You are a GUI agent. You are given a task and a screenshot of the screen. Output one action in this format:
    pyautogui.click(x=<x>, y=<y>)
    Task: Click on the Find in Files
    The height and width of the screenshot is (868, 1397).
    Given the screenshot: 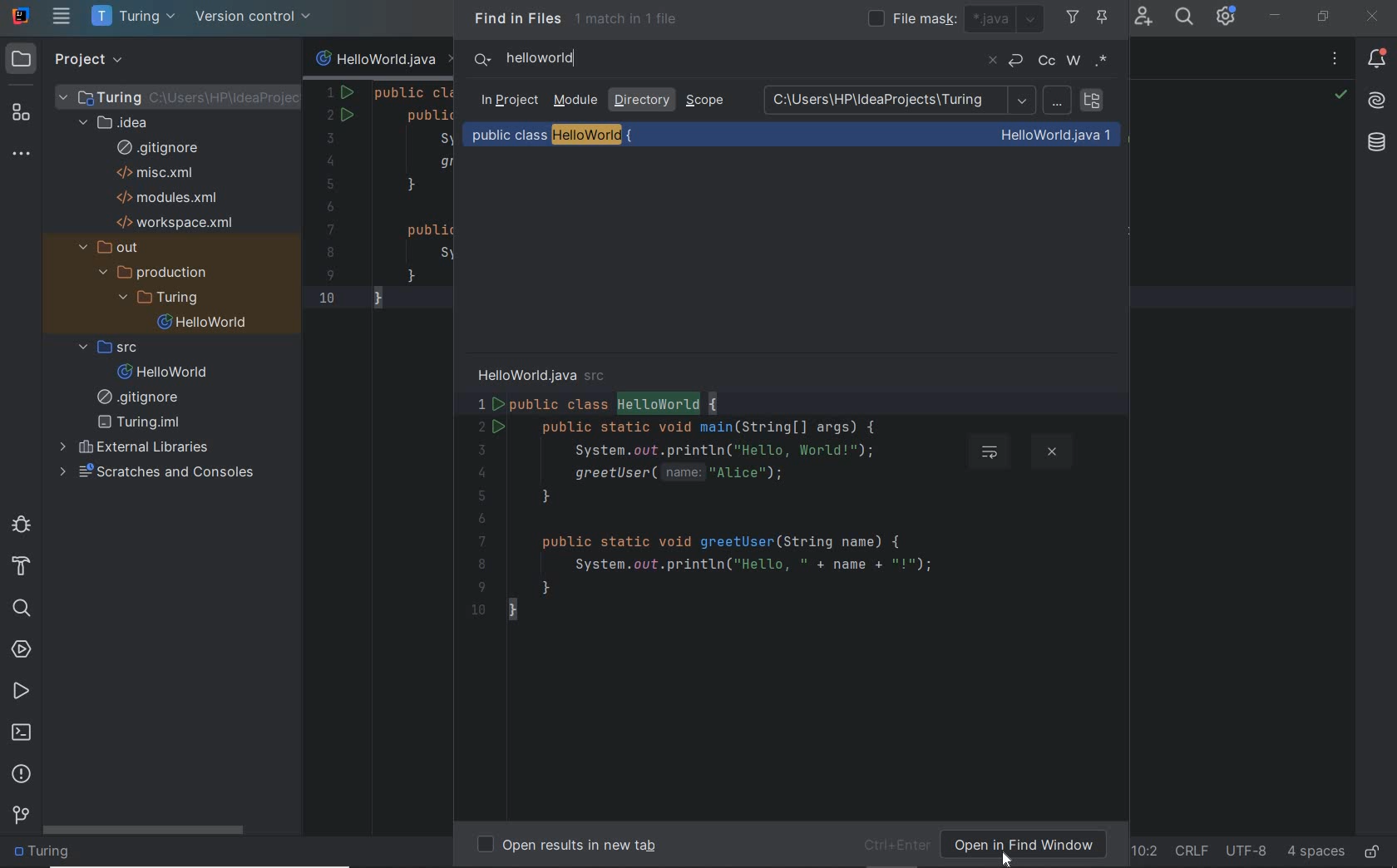 What is the action you would take?
    pyautogui.click(x=506, y=20)
    